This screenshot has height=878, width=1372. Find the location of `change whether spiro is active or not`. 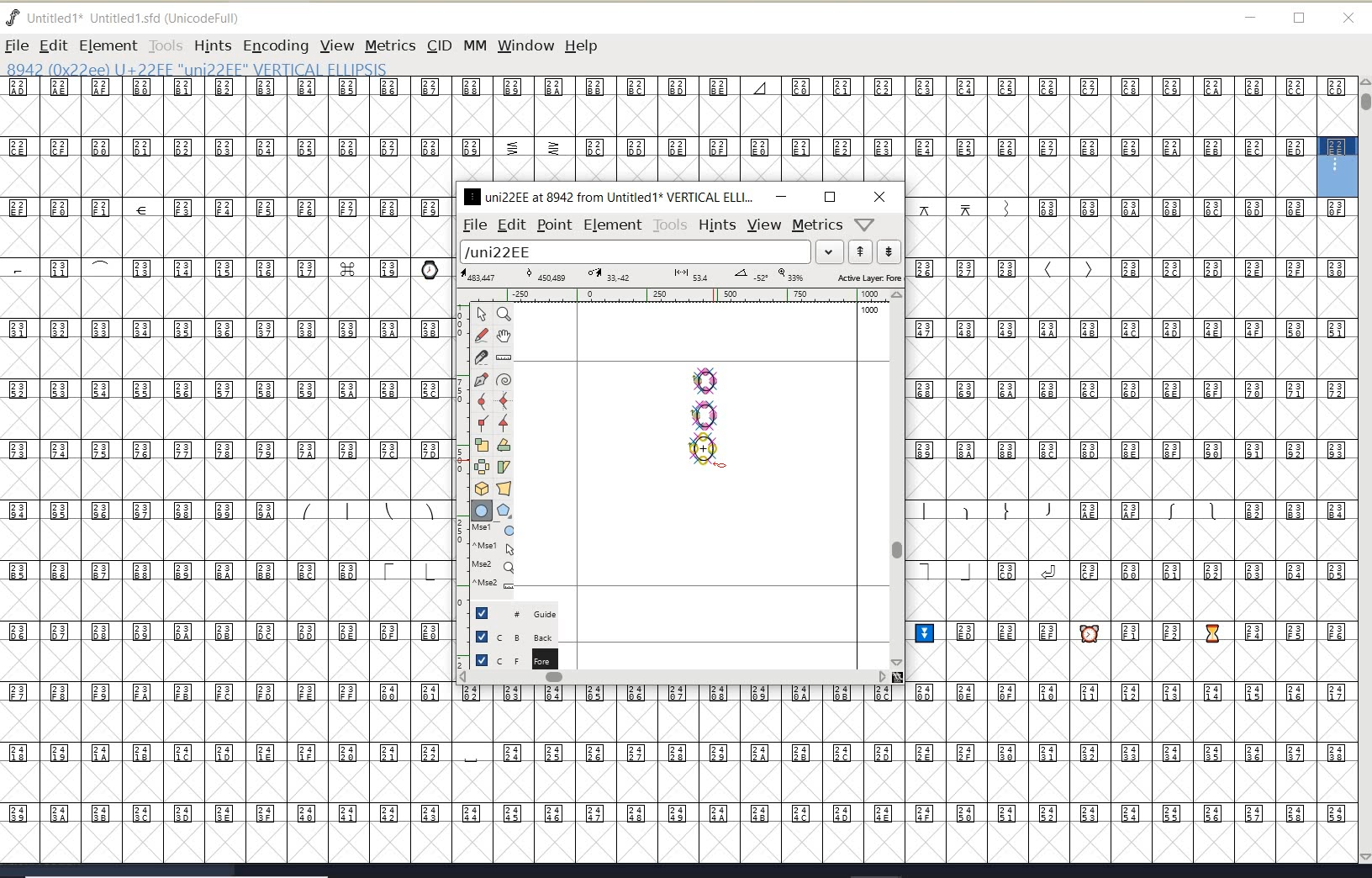

change whether spiro is active or not is located at coordinates (504, 382).